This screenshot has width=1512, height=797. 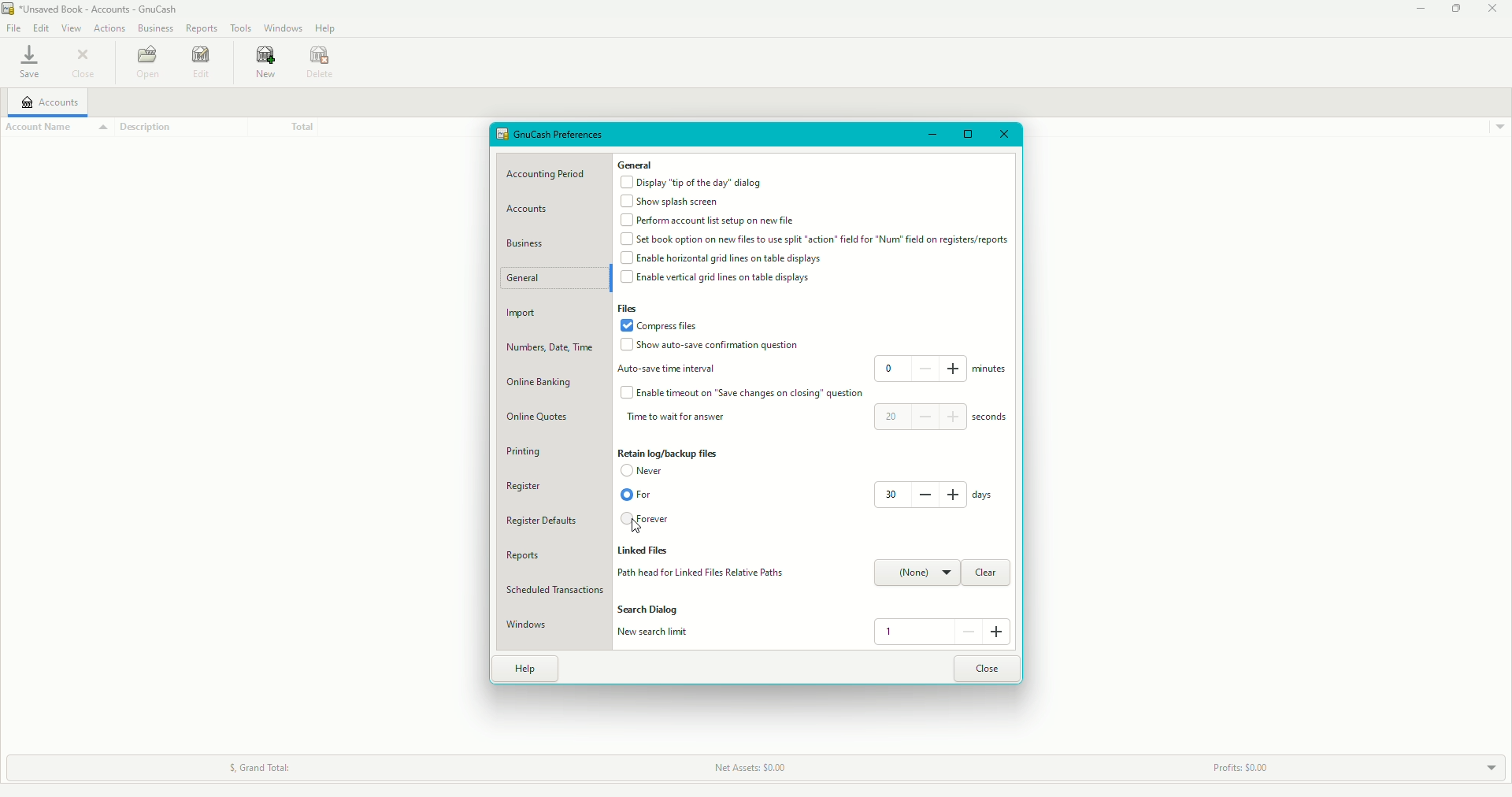 What do you see at coordinates (917, 573) in the screenshot?
I see `None` at bounding box center [917, 573].